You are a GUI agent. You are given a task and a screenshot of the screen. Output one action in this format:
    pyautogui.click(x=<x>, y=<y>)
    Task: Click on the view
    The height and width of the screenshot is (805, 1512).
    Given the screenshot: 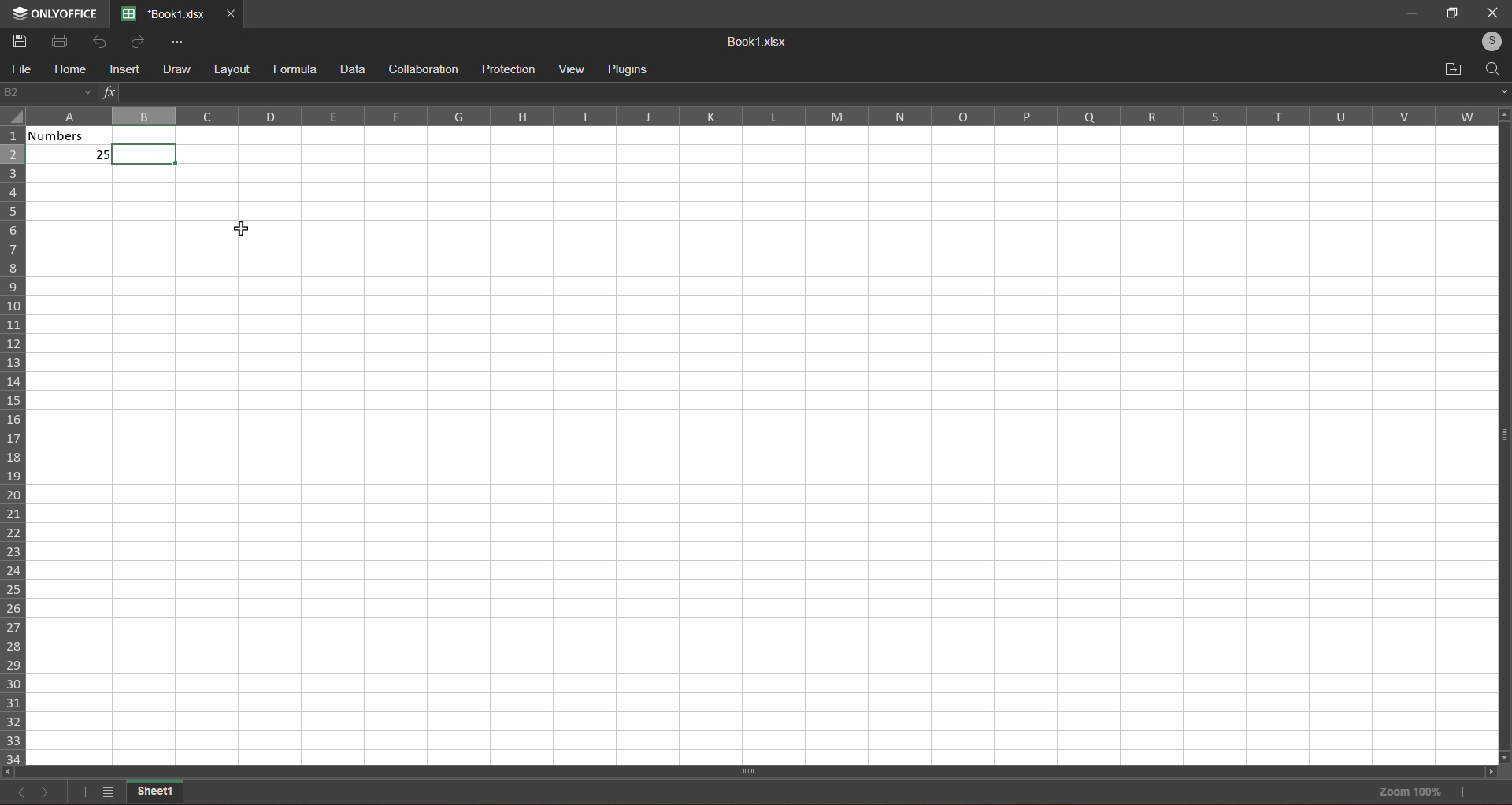 What is the action you would take?
    pyautogui.click(x=574, y=69)
    